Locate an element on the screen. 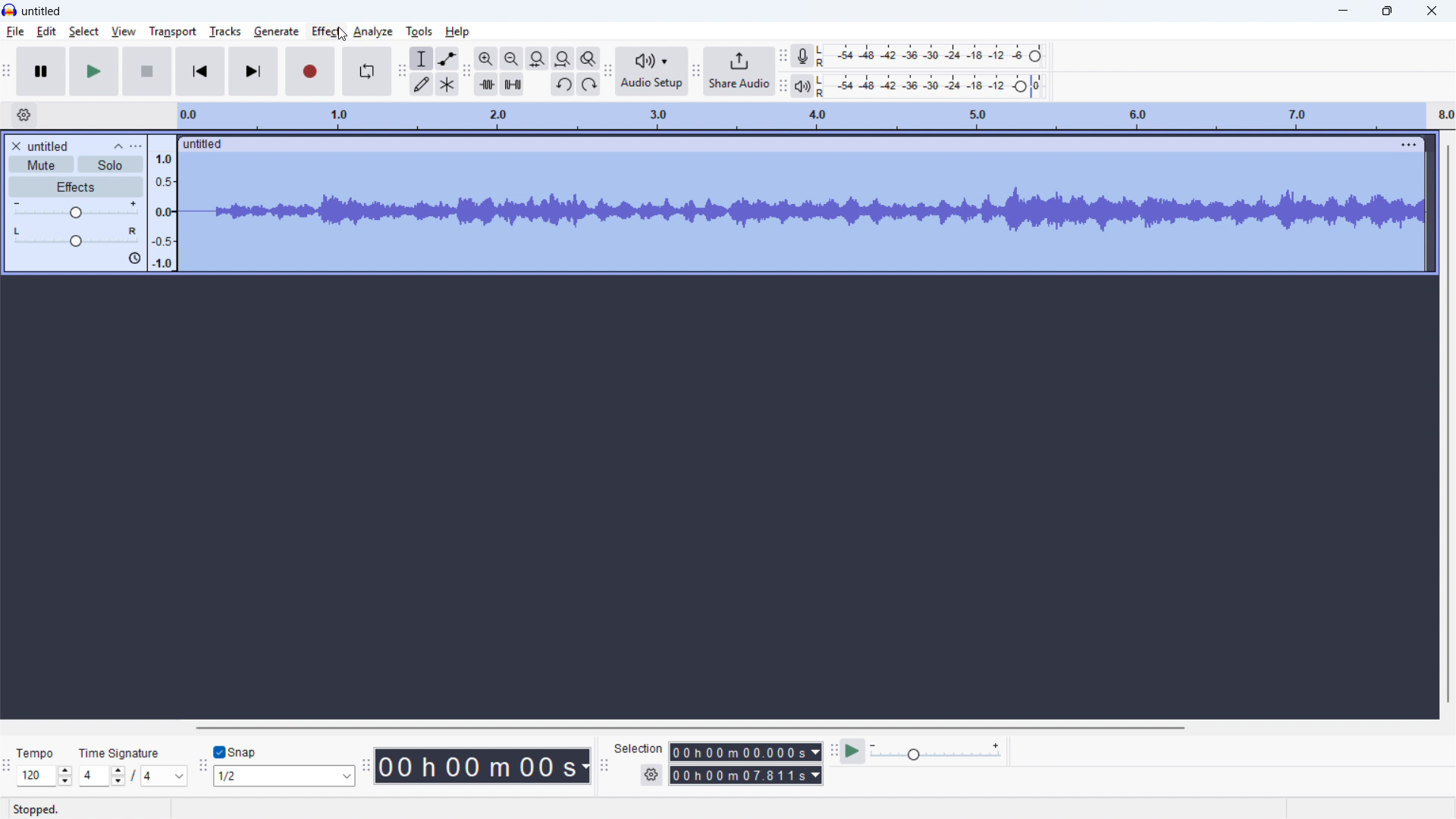  Snipping toolbar  is located at coordinates (202, 769).